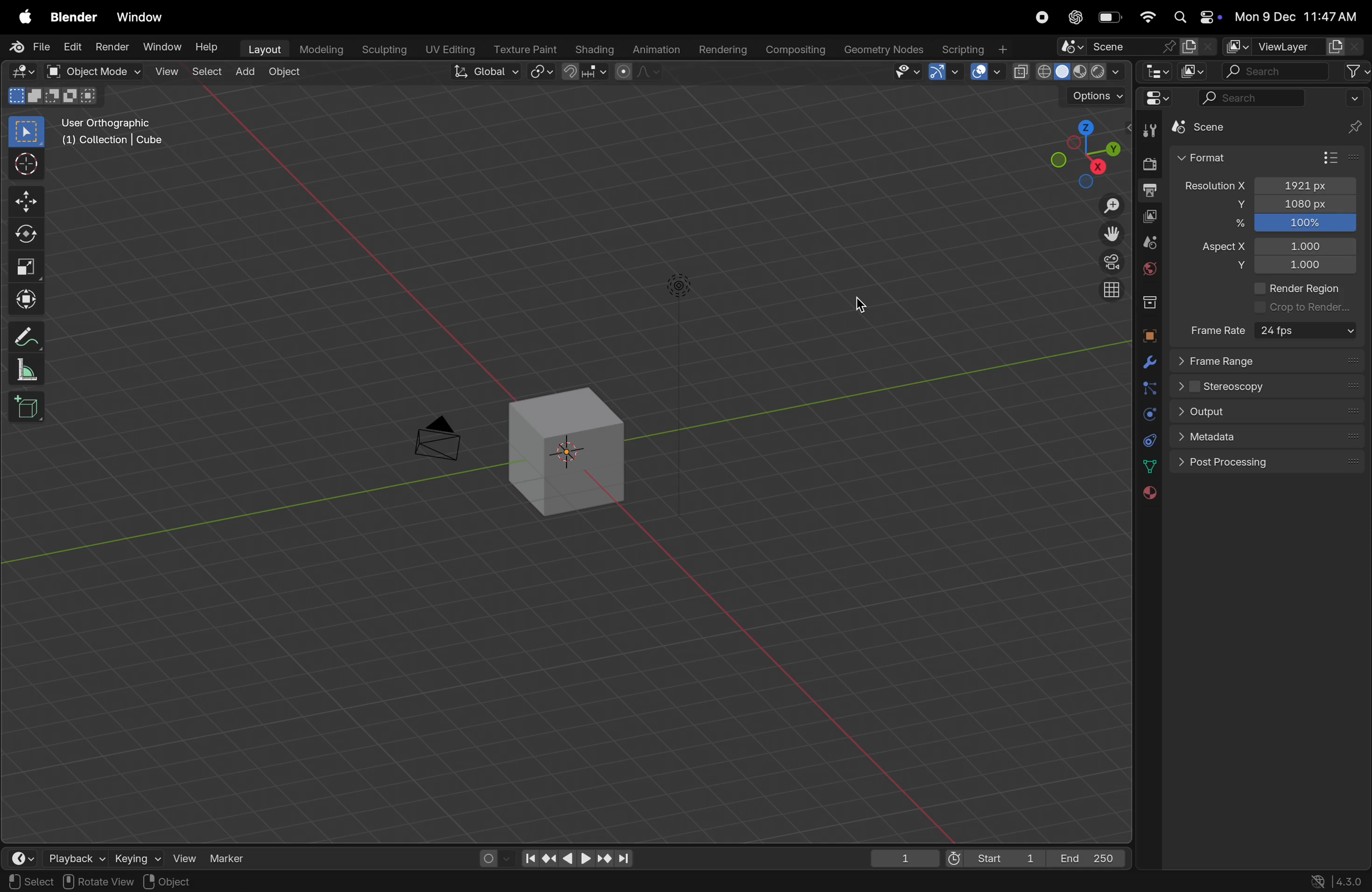 Image resolution: width=1372 pixels, height=892 pixels. What do you see at coordinates (1106, 233) in the screenshot?
I see `move the view` at bounding box center [1106, 233].